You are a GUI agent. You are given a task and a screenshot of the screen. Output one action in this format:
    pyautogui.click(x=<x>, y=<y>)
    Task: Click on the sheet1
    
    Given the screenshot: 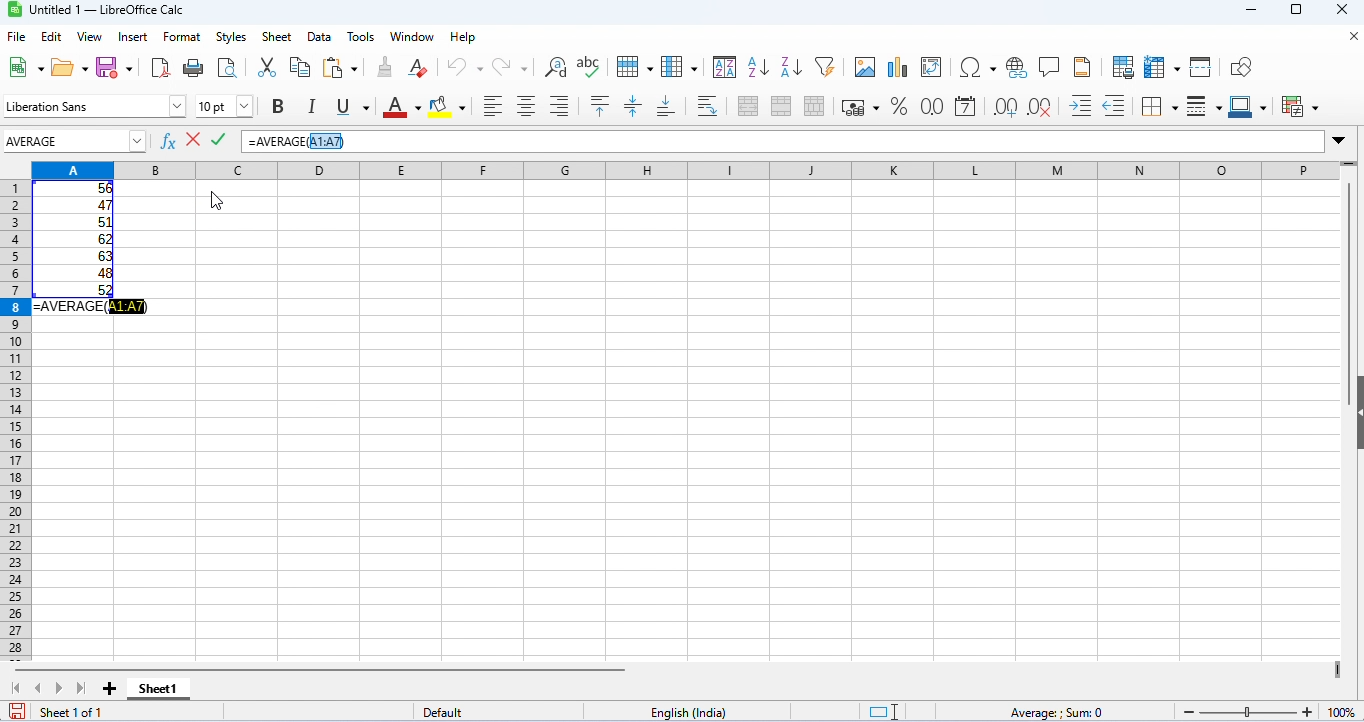 What is the action you would take?
    pyautogui.click(x=157, y=689)
    